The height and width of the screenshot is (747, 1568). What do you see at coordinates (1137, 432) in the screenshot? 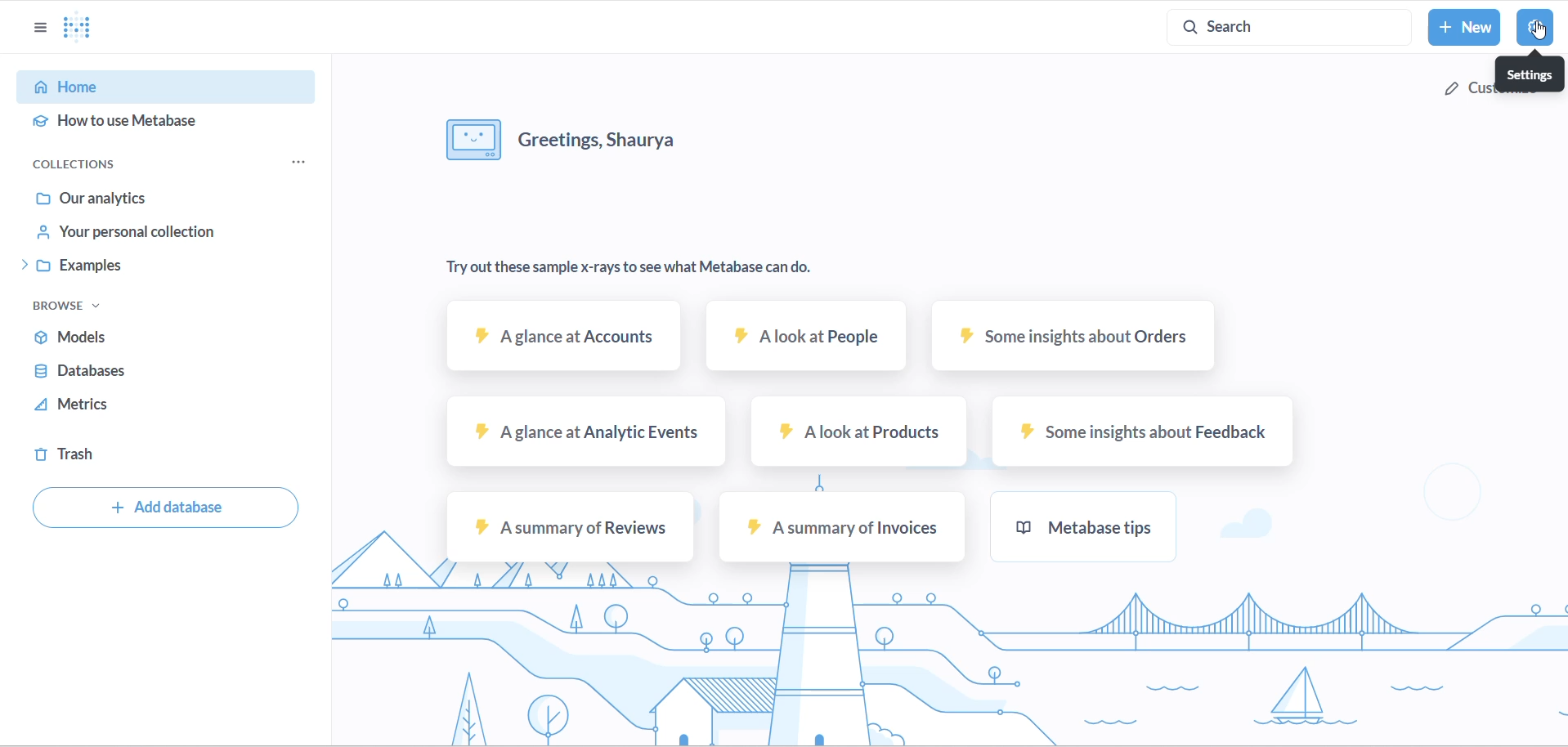
I see `some insights about feedback sample` at bounding box center [1137, 432].